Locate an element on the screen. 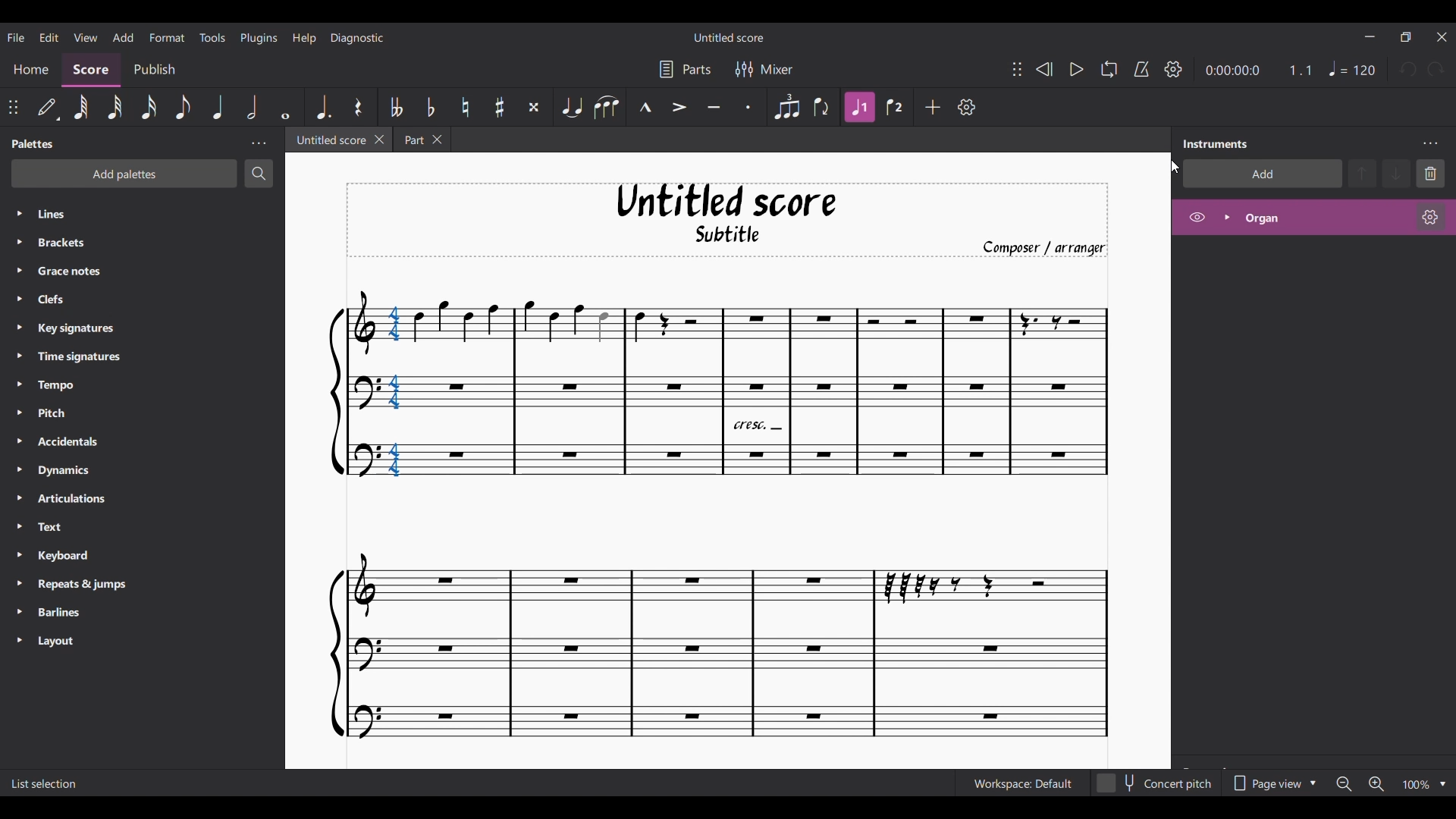 The height and width of the screenshot is (819, 1456). Move selection up is located at coordinates (1362, 174).